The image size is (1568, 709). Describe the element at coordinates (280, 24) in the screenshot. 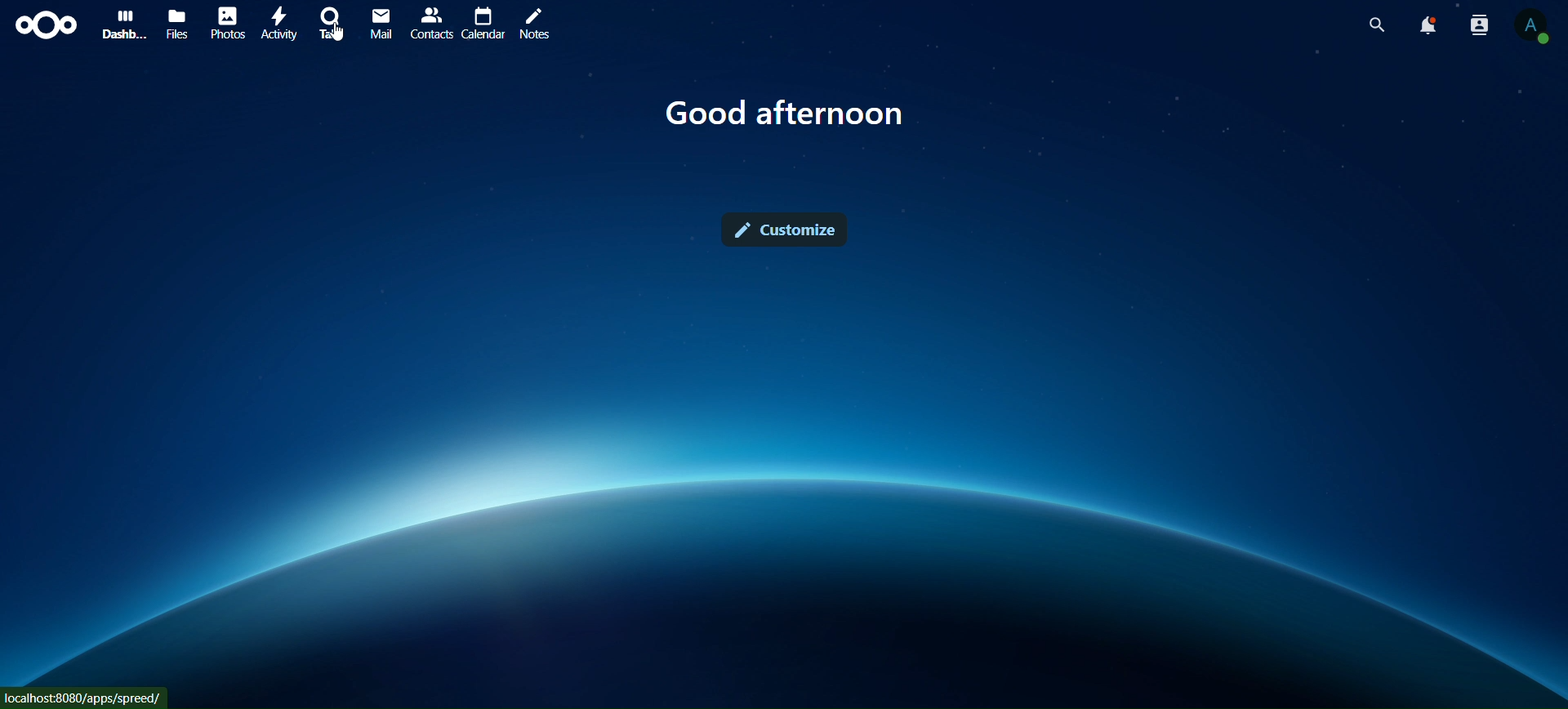

I see `activity` at that location.